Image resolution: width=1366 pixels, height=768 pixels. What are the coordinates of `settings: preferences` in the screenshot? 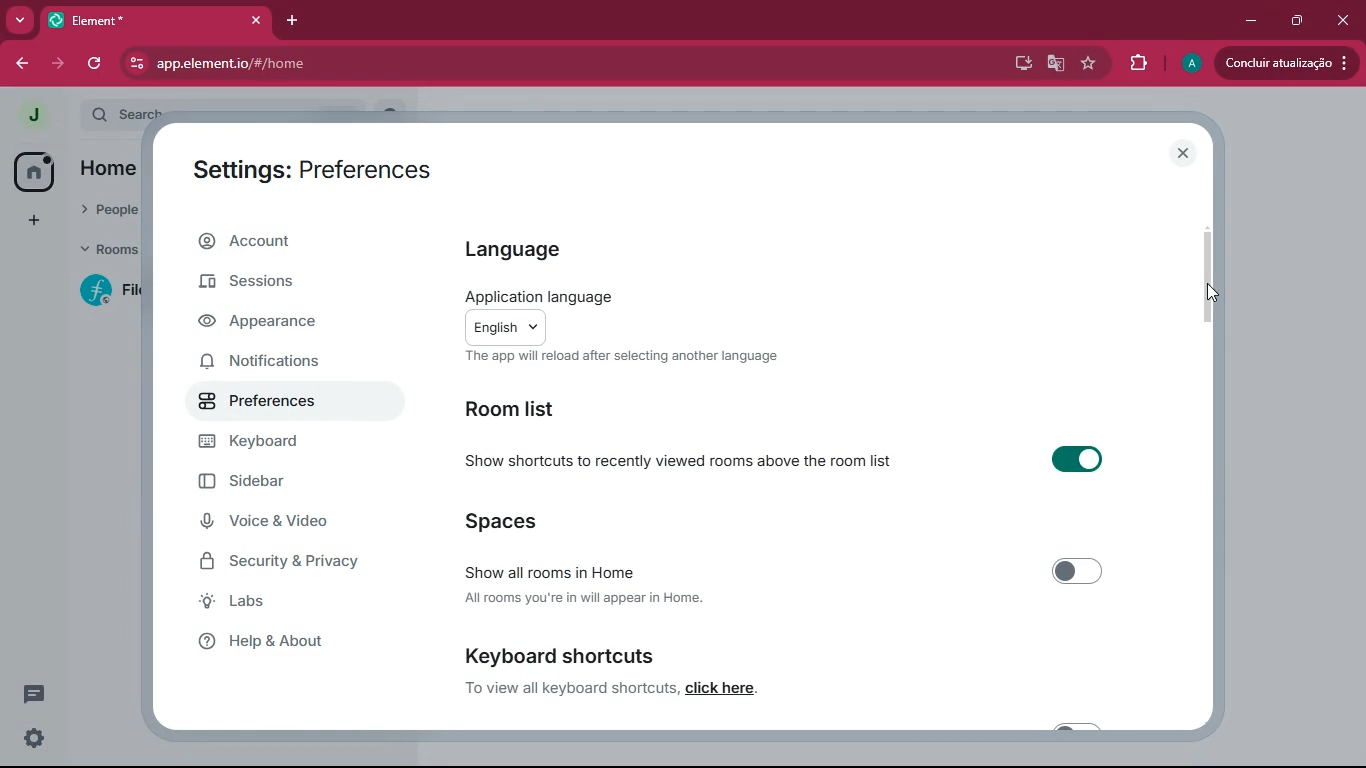 It's located at (304, 171).